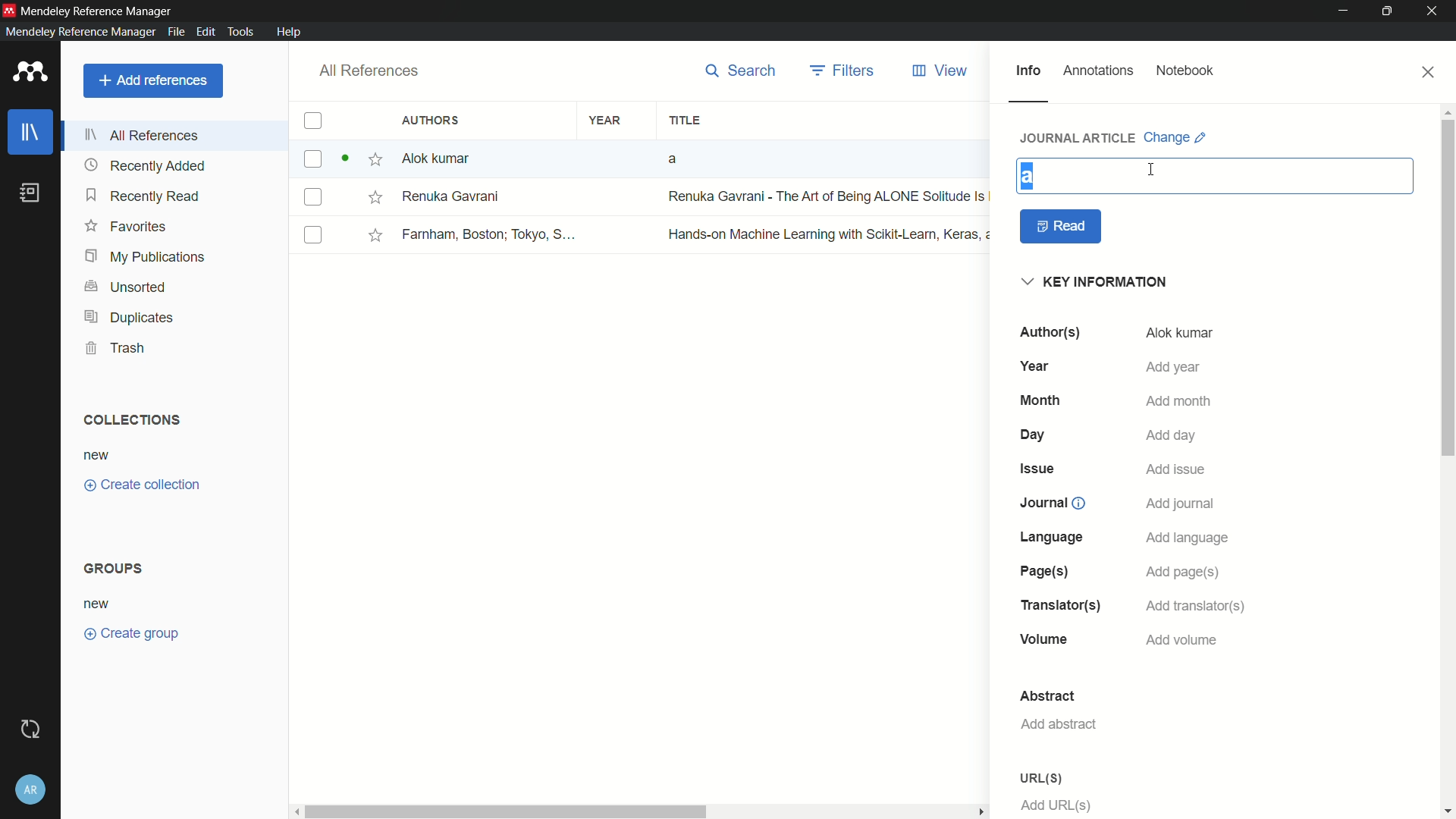 Image resolution: width=1456 pixels, height=819 pixels. Describe the element at coordinates (1172, 367) in the screenshot. I see `add year` at that location.